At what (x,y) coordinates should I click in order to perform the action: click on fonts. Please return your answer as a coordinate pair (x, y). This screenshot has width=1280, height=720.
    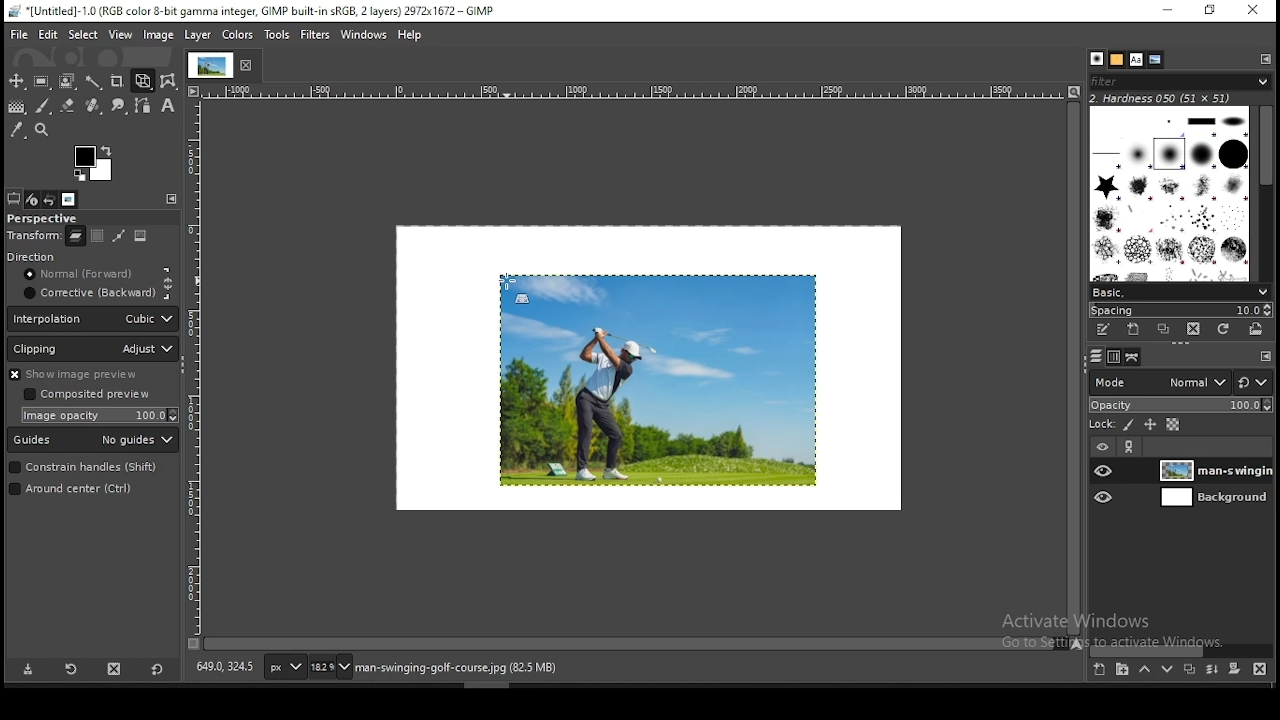
    Looking at the image, I should click on (1135, 58).